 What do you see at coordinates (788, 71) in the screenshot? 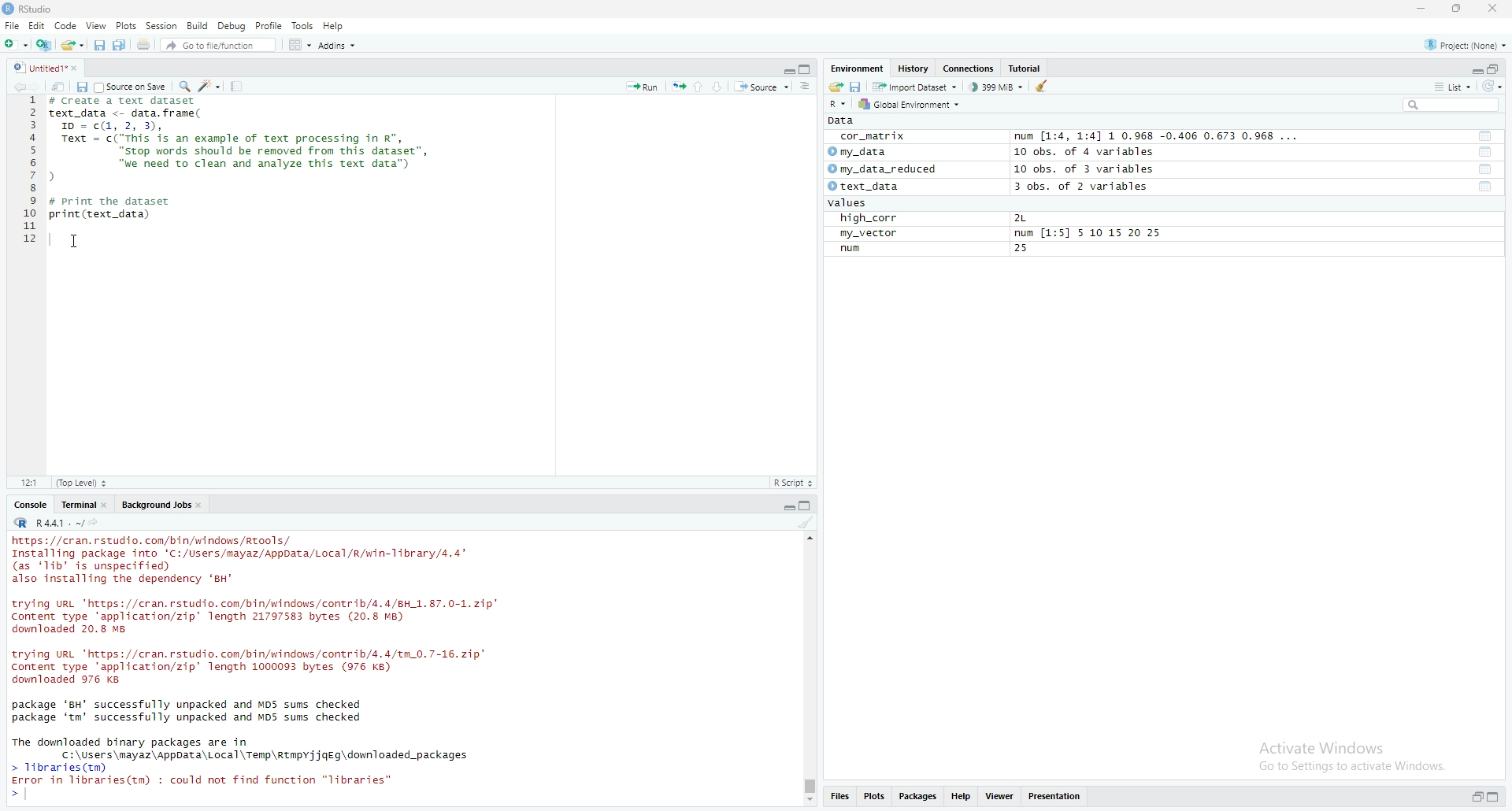
I see `expand` at bounding box center [788, 71].